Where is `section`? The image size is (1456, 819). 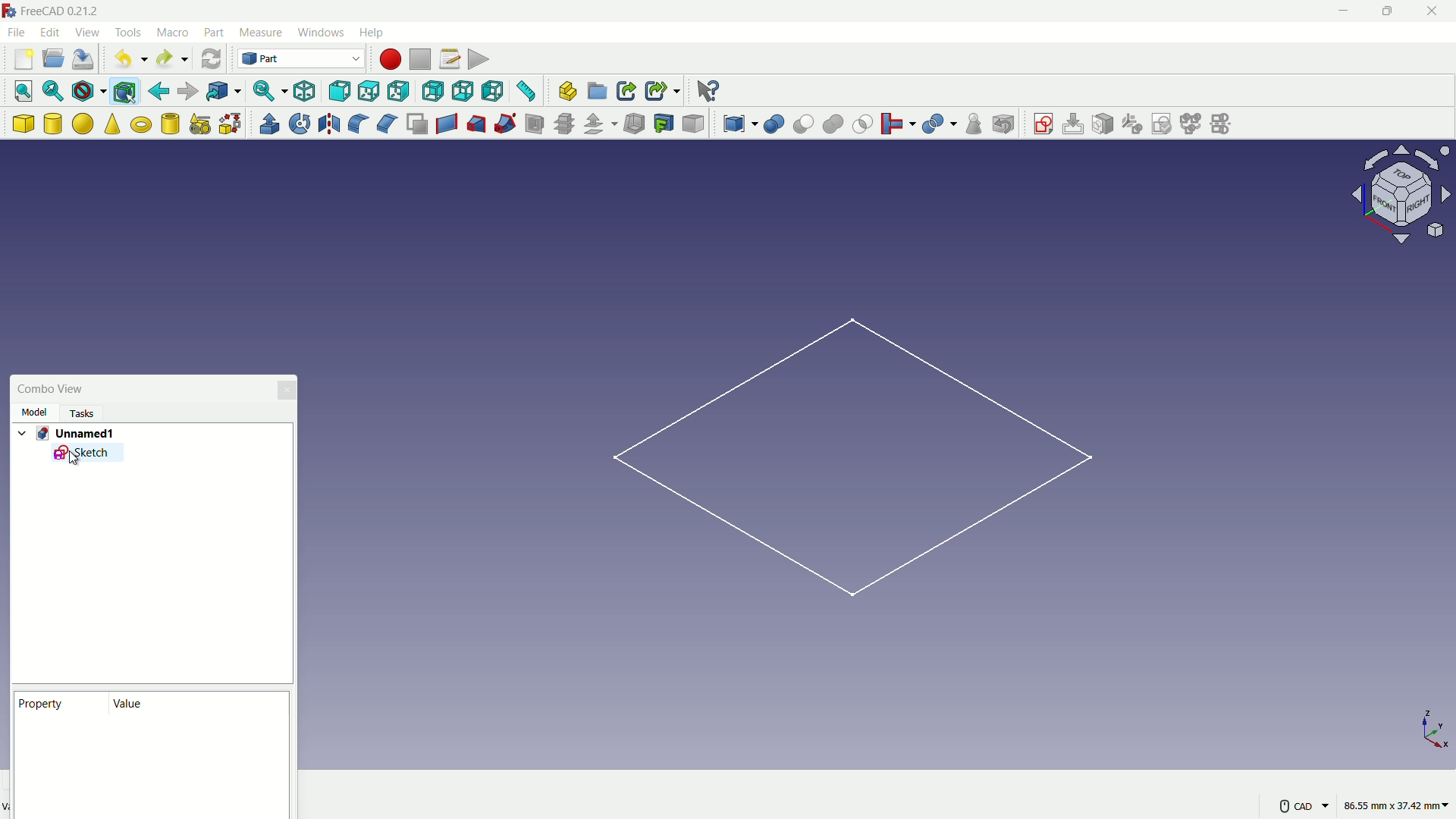
section is located at coordinates (536, 125).